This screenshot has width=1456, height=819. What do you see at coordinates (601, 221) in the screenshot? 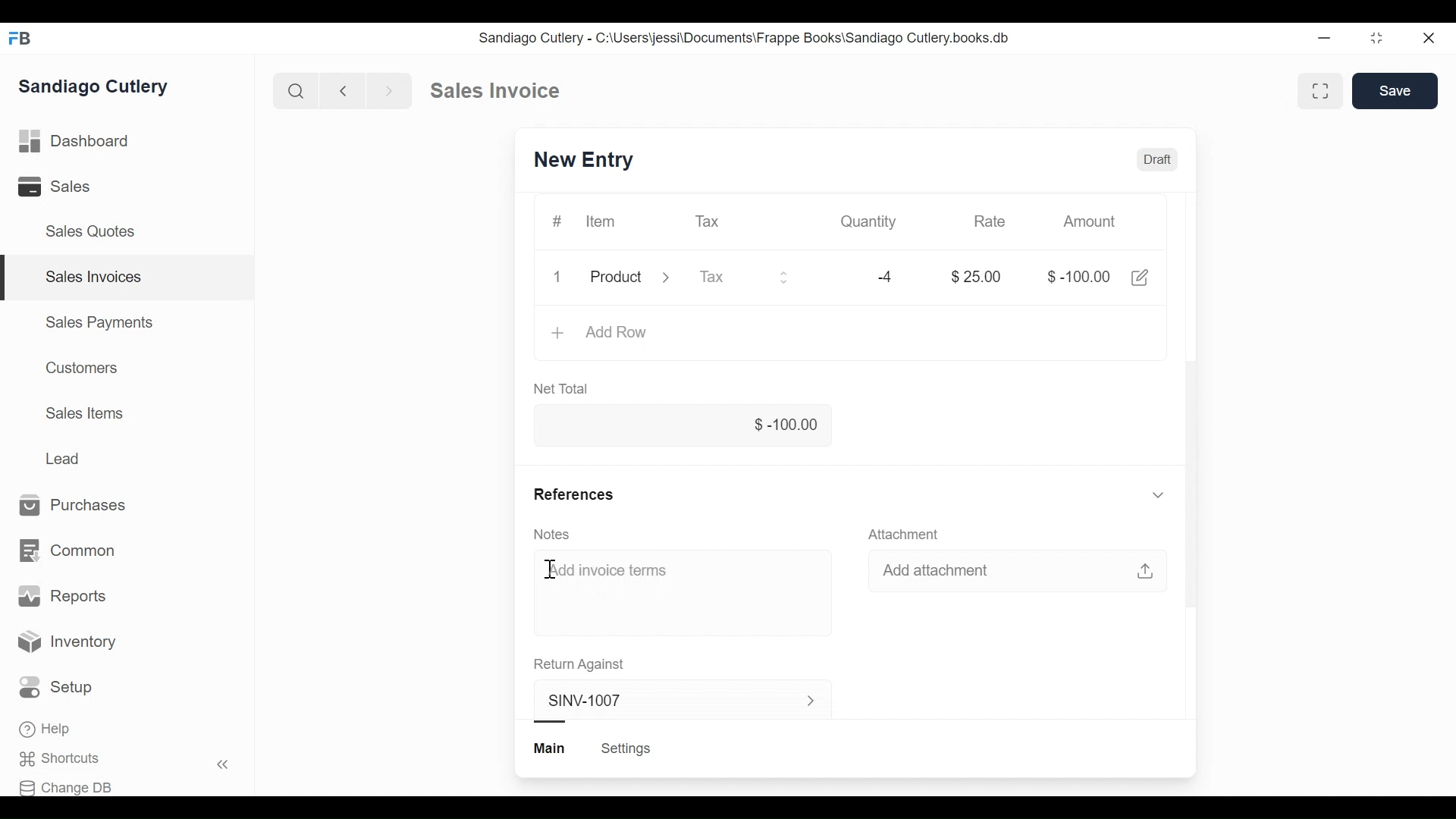
I see `Item` at bounding box center [601, 221].